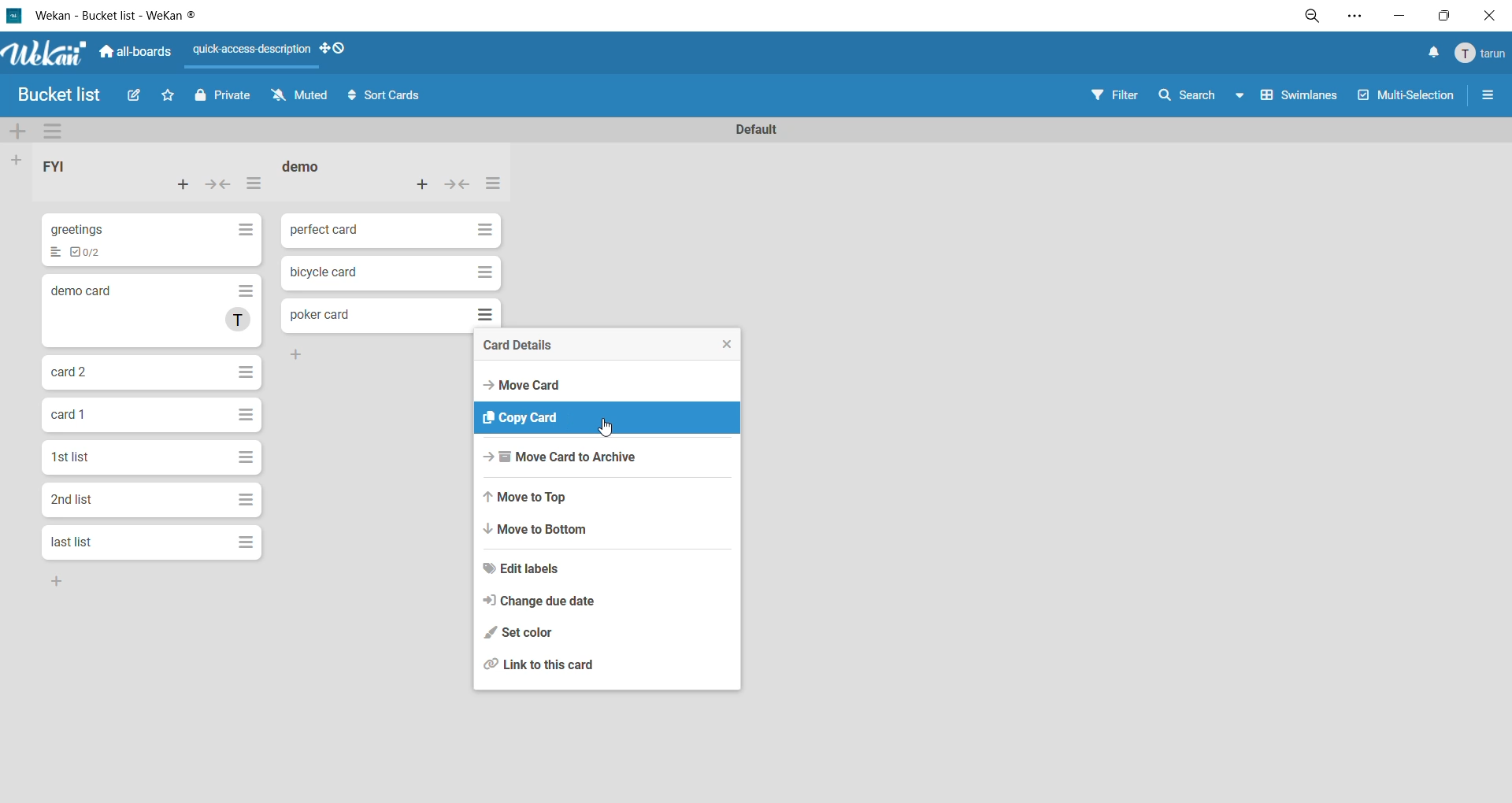  What do you see at coordinates (301, 354) in the screenshot?
I see `Add button` at bounding box center [301, 354].